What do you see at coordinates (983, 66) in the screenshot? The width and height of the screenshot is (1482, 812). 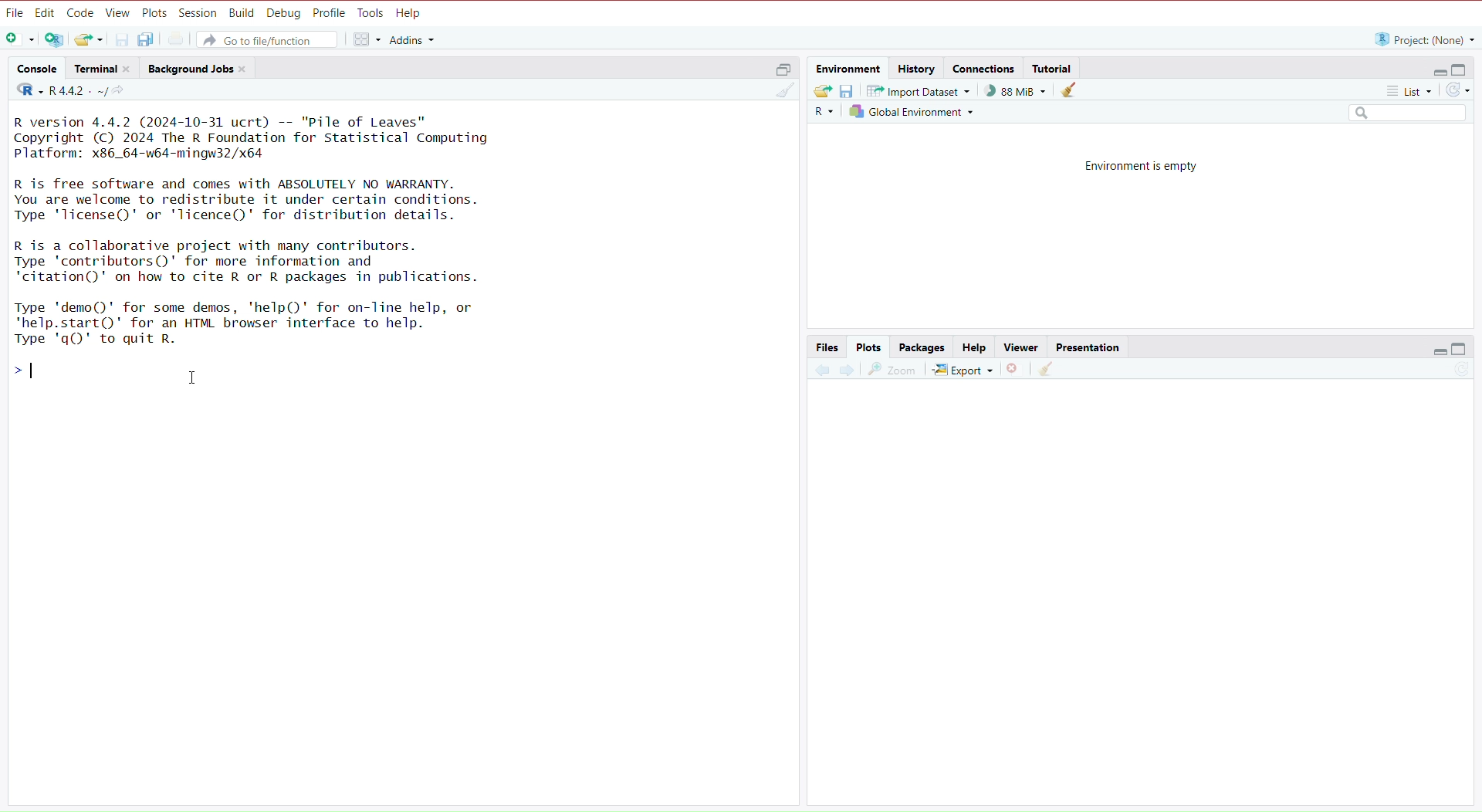 I see `Connections` at bounding box center [983, 66].